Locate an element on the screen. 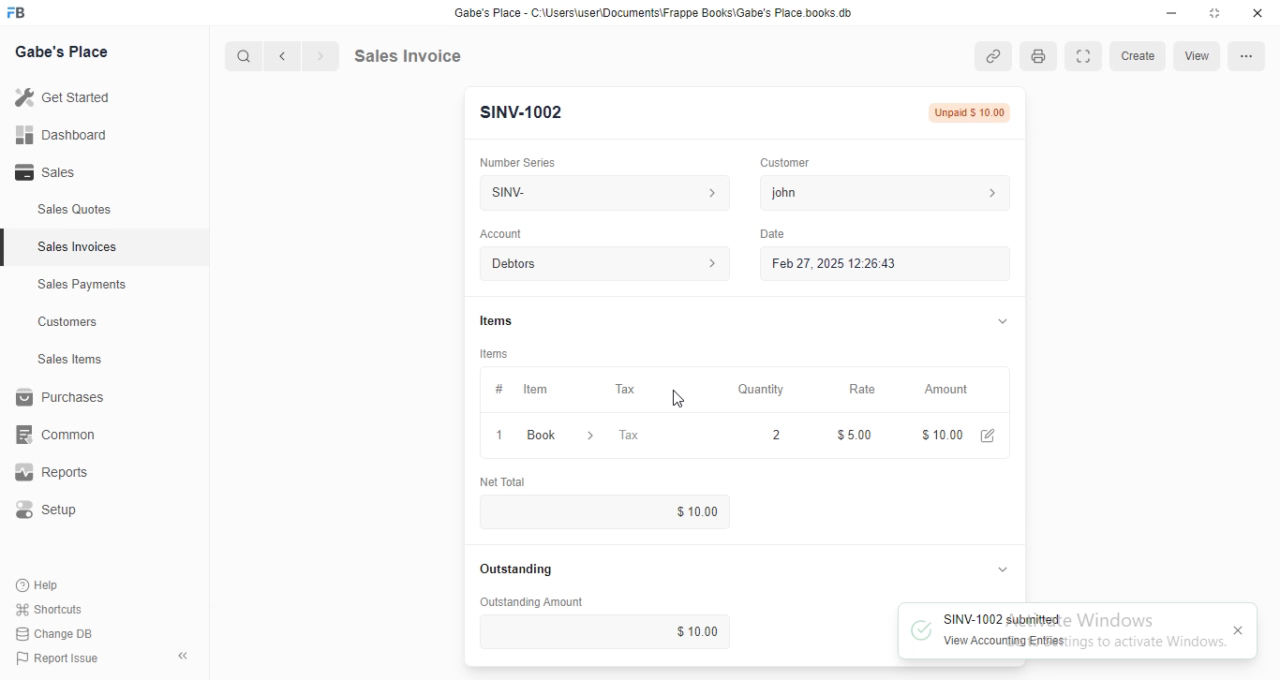 The height and width of the screenshot is (680, 1280). $5.00 is located at coordinates (849, 434).